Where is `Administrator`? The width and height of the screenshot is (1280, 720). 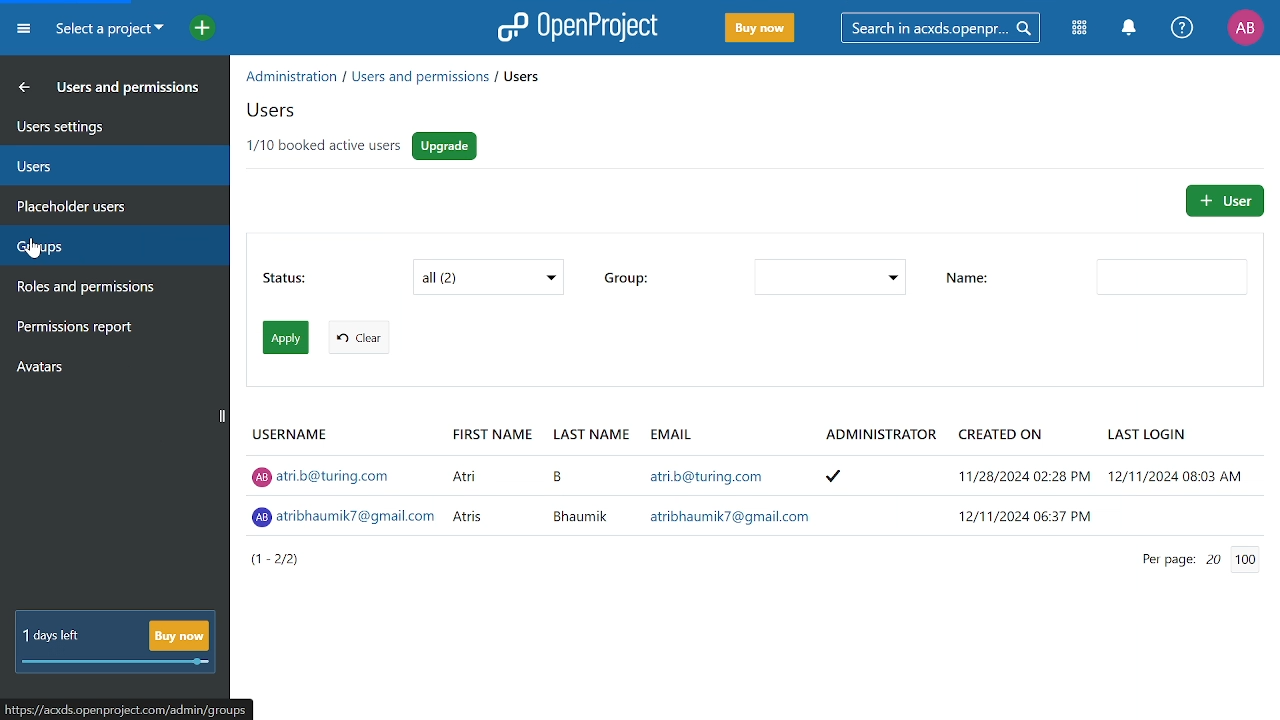
Administrator is located at coordinates (873, 437).